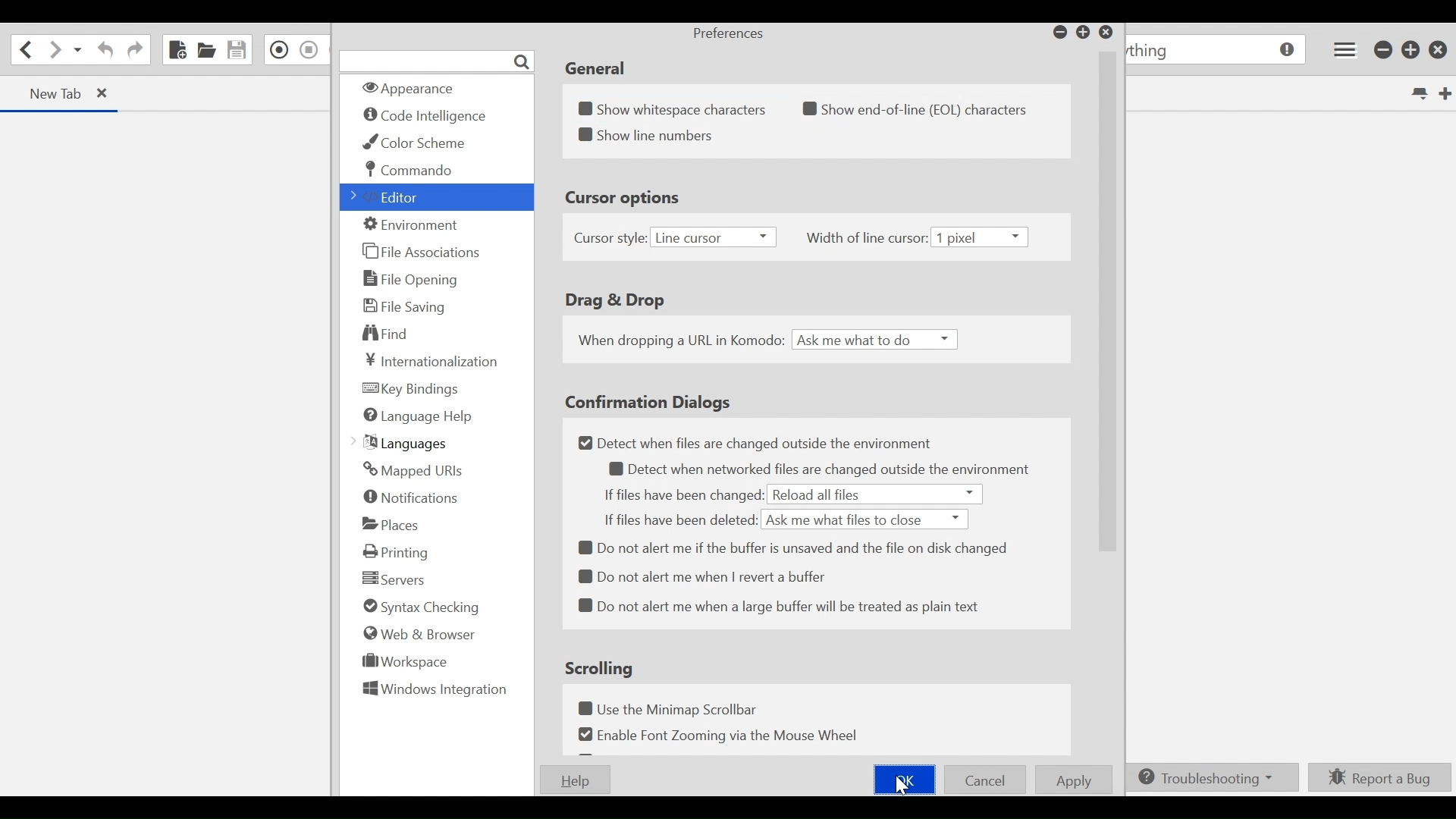 This screenshot has width=1456, height=819. I want to click on Close, so click(1106, 33).